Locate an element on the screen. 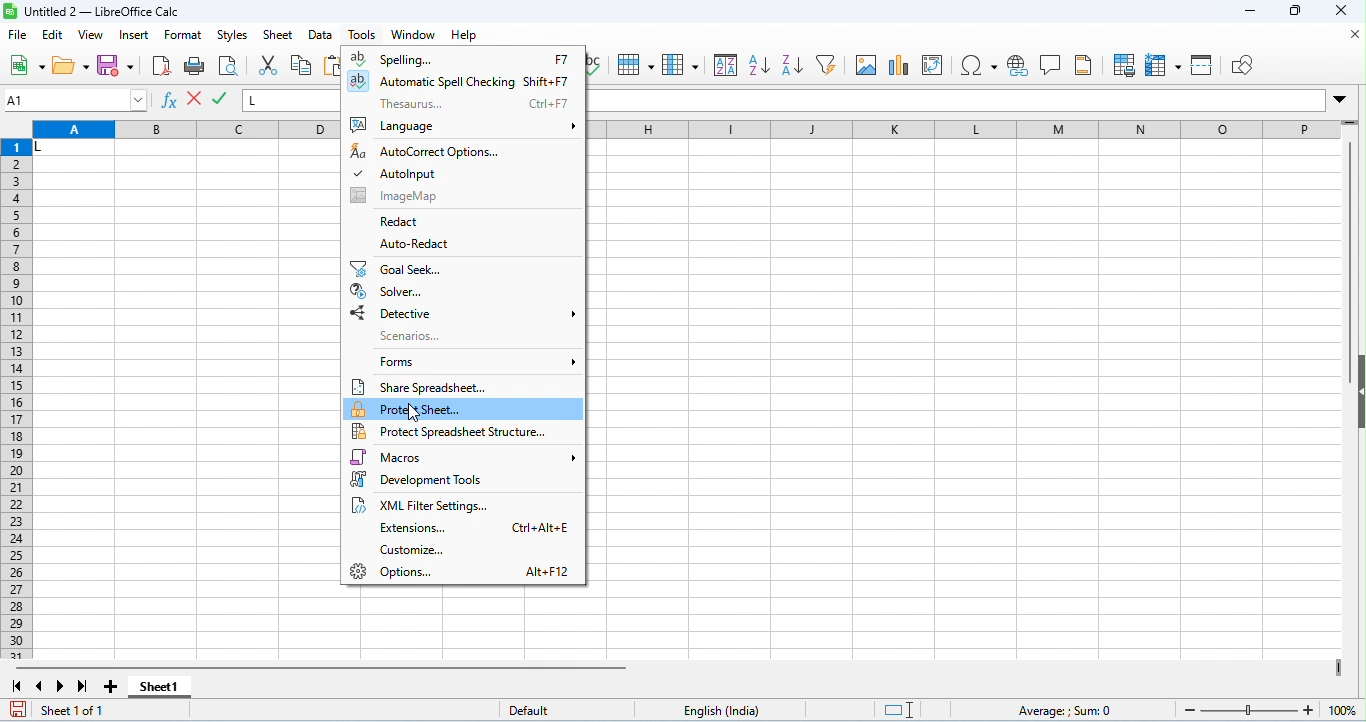  imageMap is located at coordinates (423, 195).